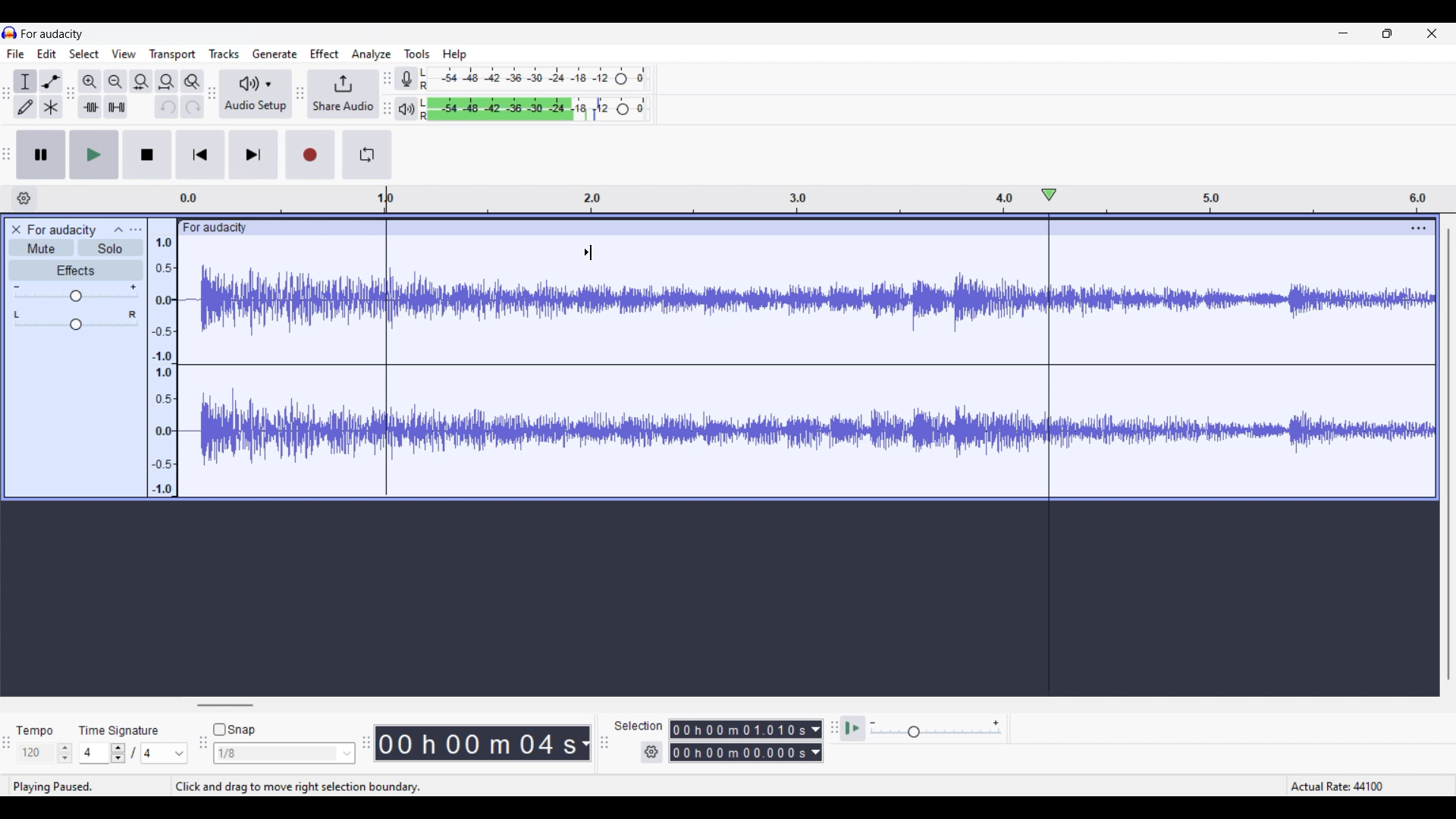  I want to click on Record meter, so click(404, 78).